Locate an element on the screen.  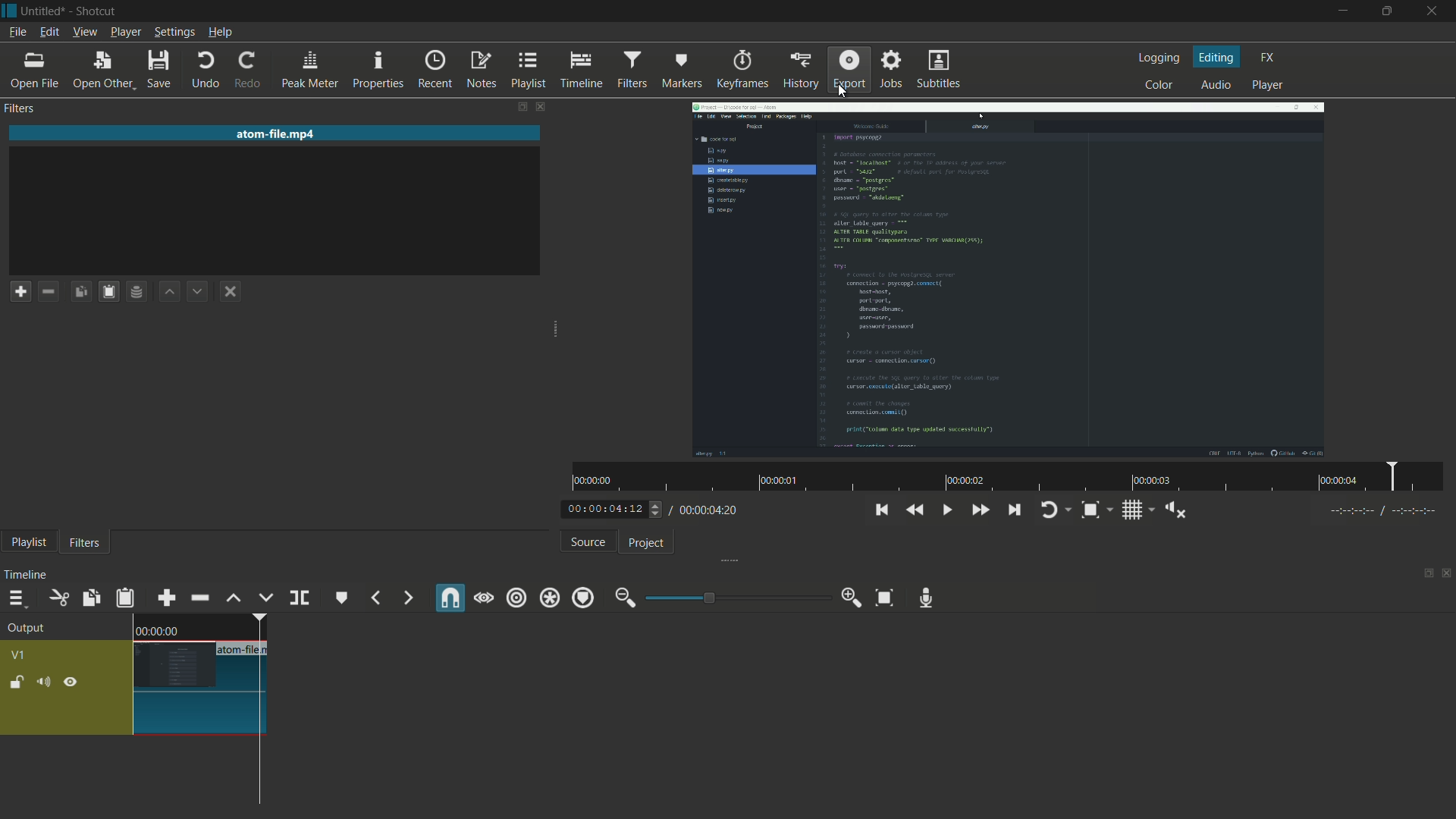
save is located at coordinates (161, 68).